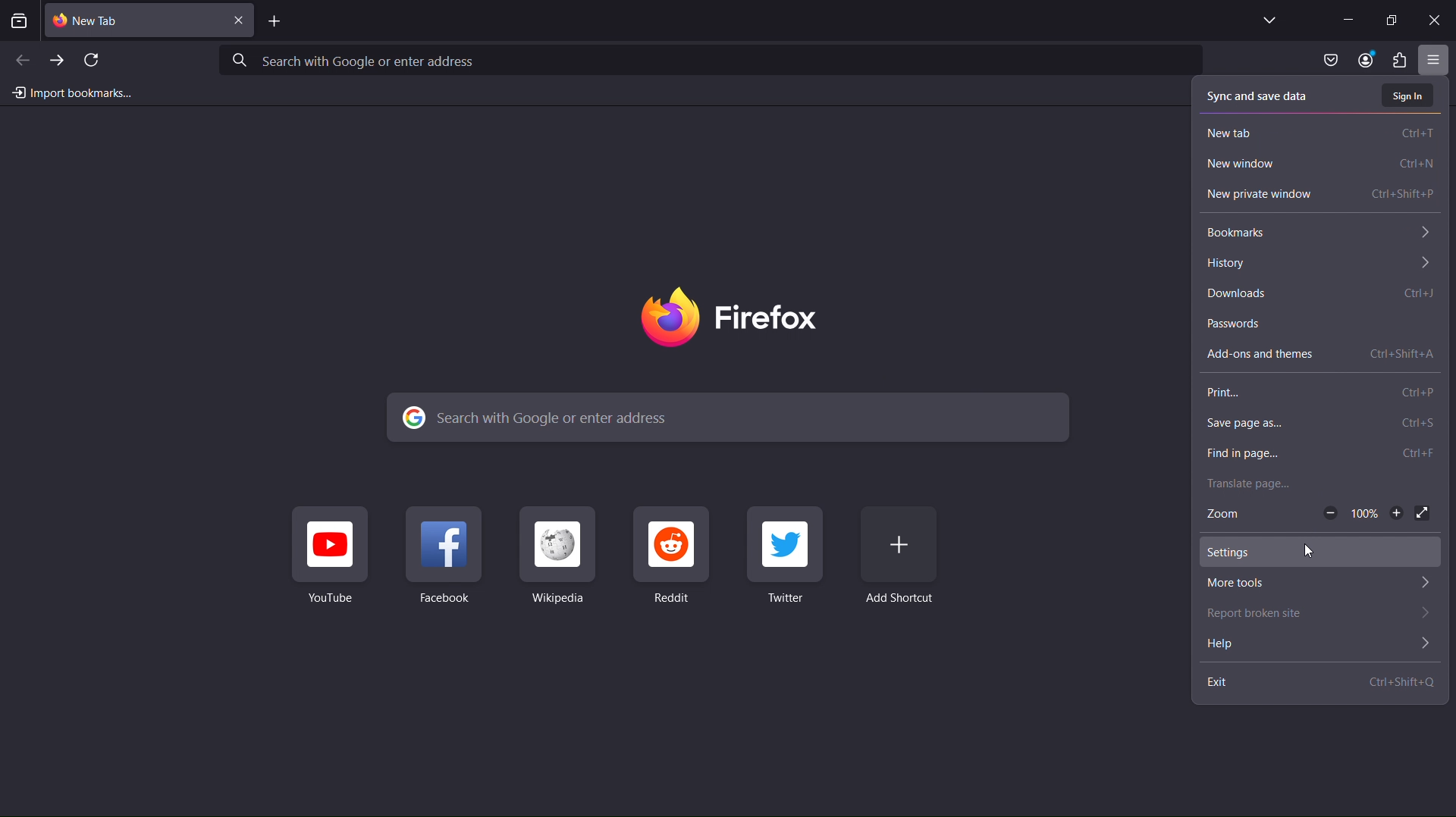 The image size is (1456, 817). Describe the element at coordinates (1399, 60) in the screenshot. I see `Plugins` at that location.